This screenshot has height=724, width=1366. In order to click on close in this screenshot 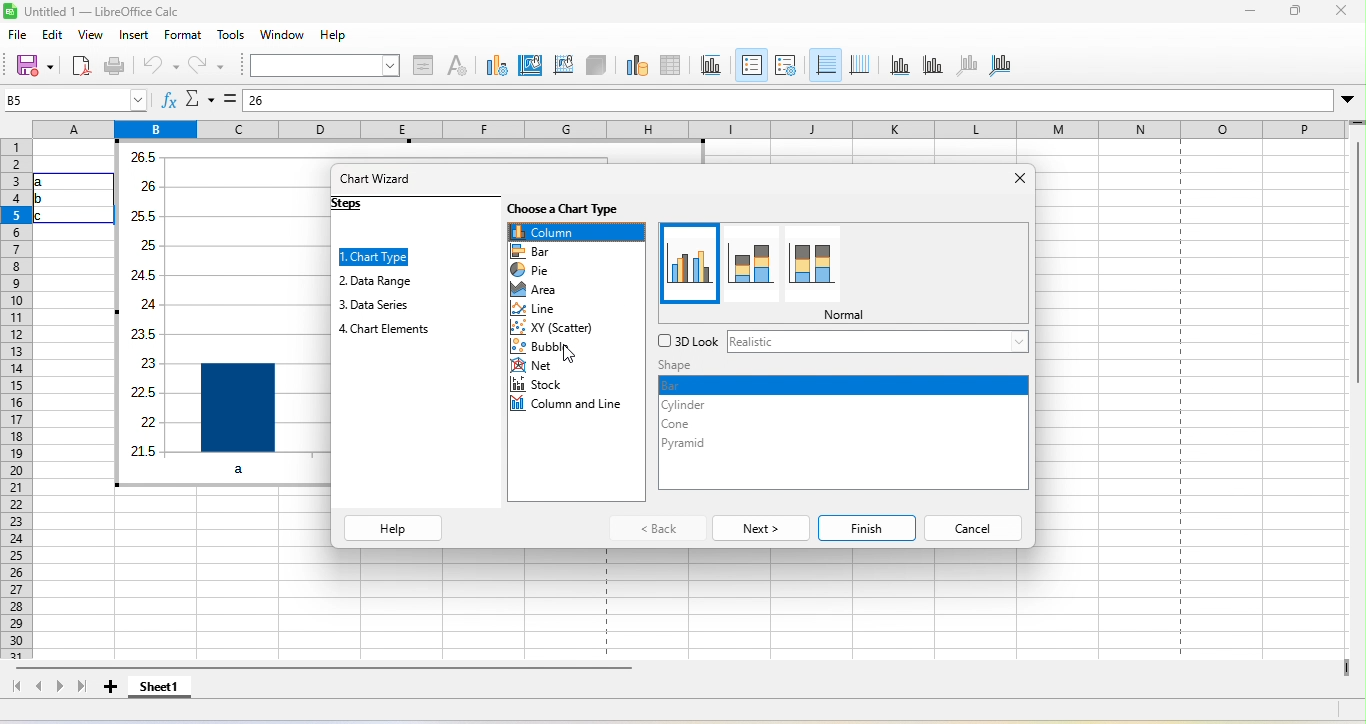, I will do `click(1340, 12)`.